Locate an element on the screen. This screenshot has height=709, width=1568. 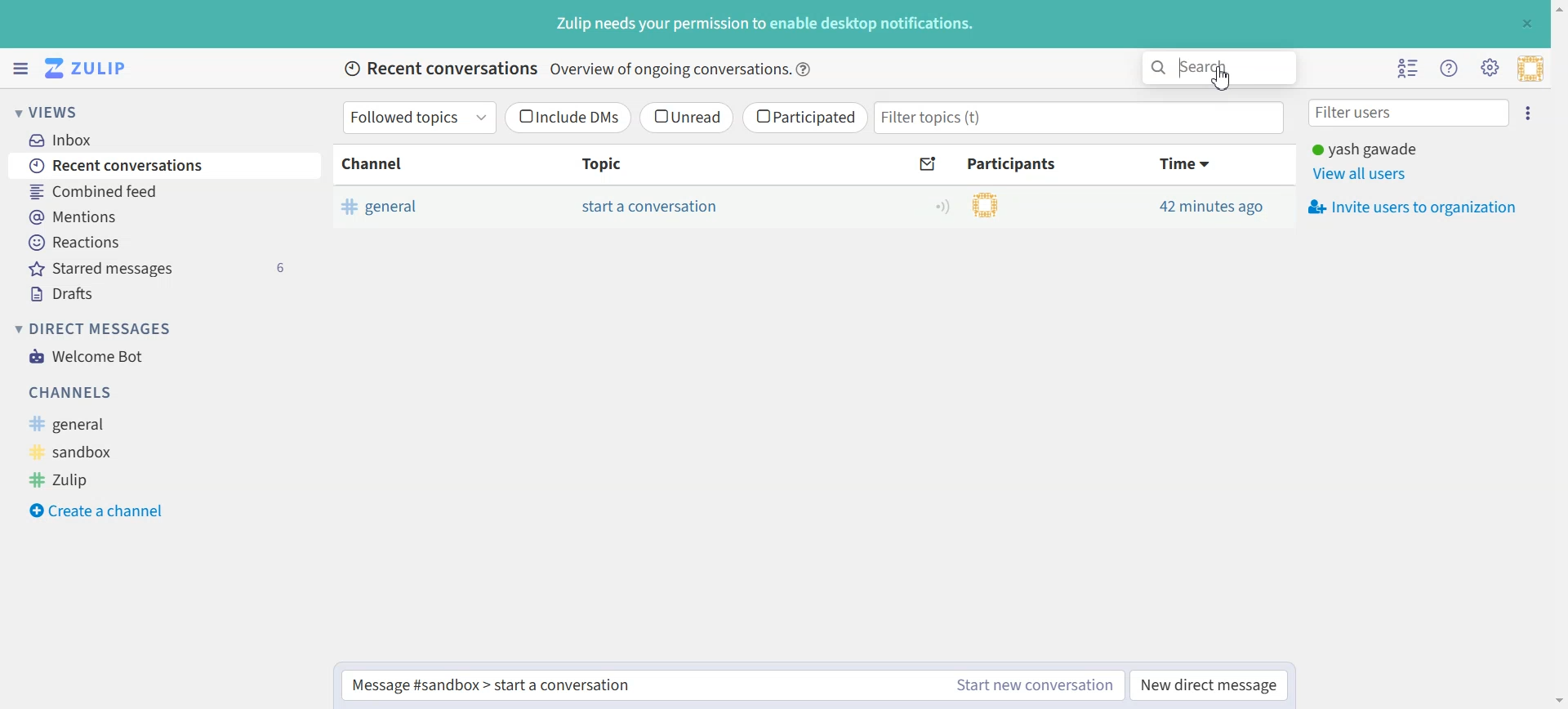
Vertical scroll bar is located at coordinates (1558, 354).